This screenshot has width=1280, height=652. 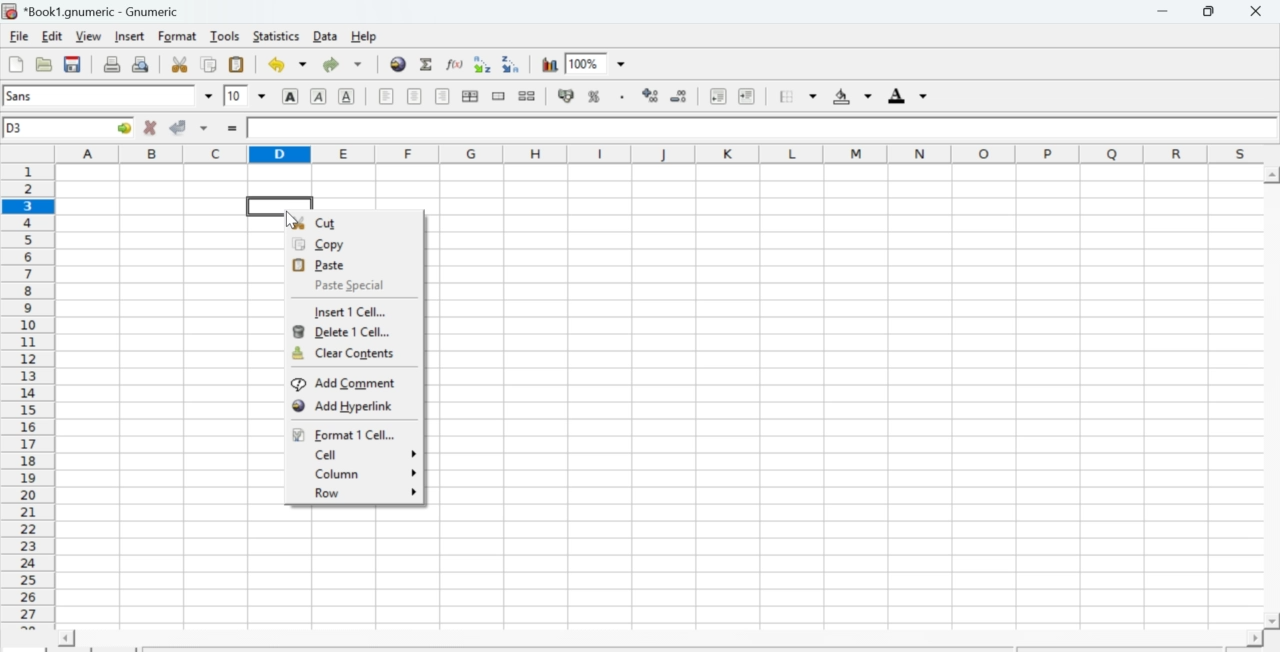 I want to click on Background, so click(x=853, y=95).